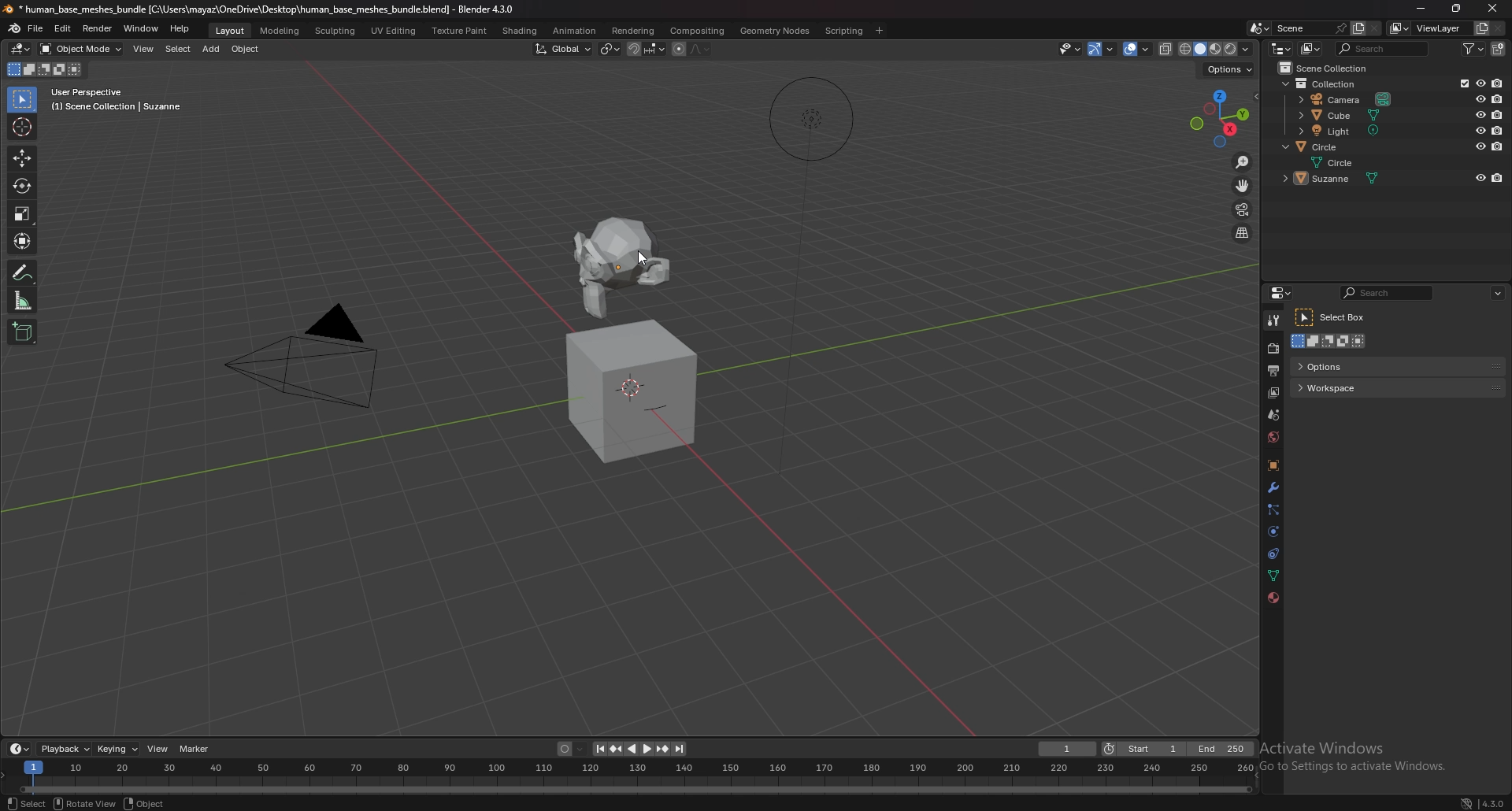 Image resolution: width=1512 pixels, height=811 pixels. What do you see at coordinates (23, 185) in the screenshot?
I see `rotate` at bounding box center [23, 185].